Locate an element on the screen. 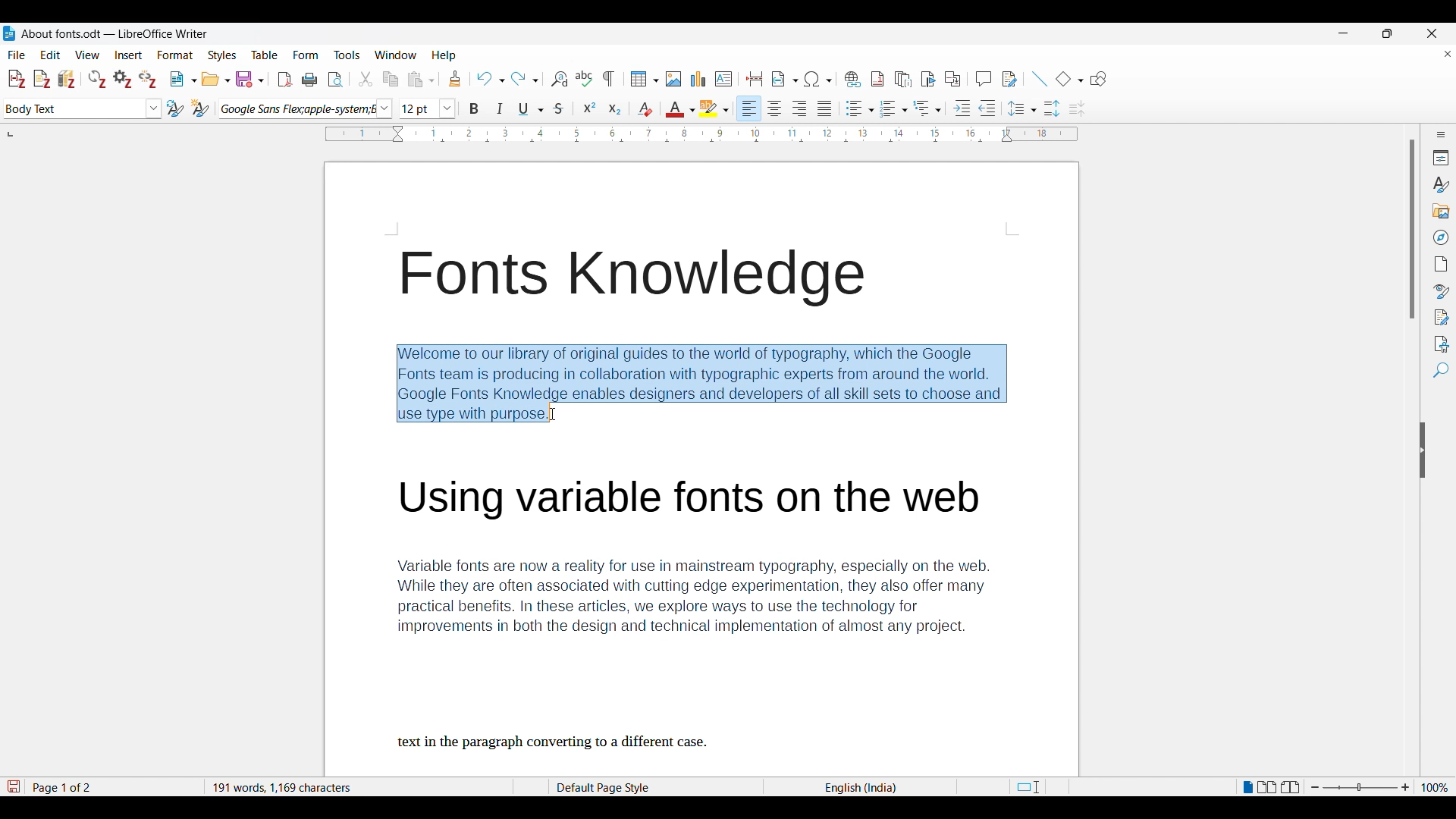 This screenshot has height=819, width=1456. Paragraph selected by cursor is located at coordinates (701, 383).